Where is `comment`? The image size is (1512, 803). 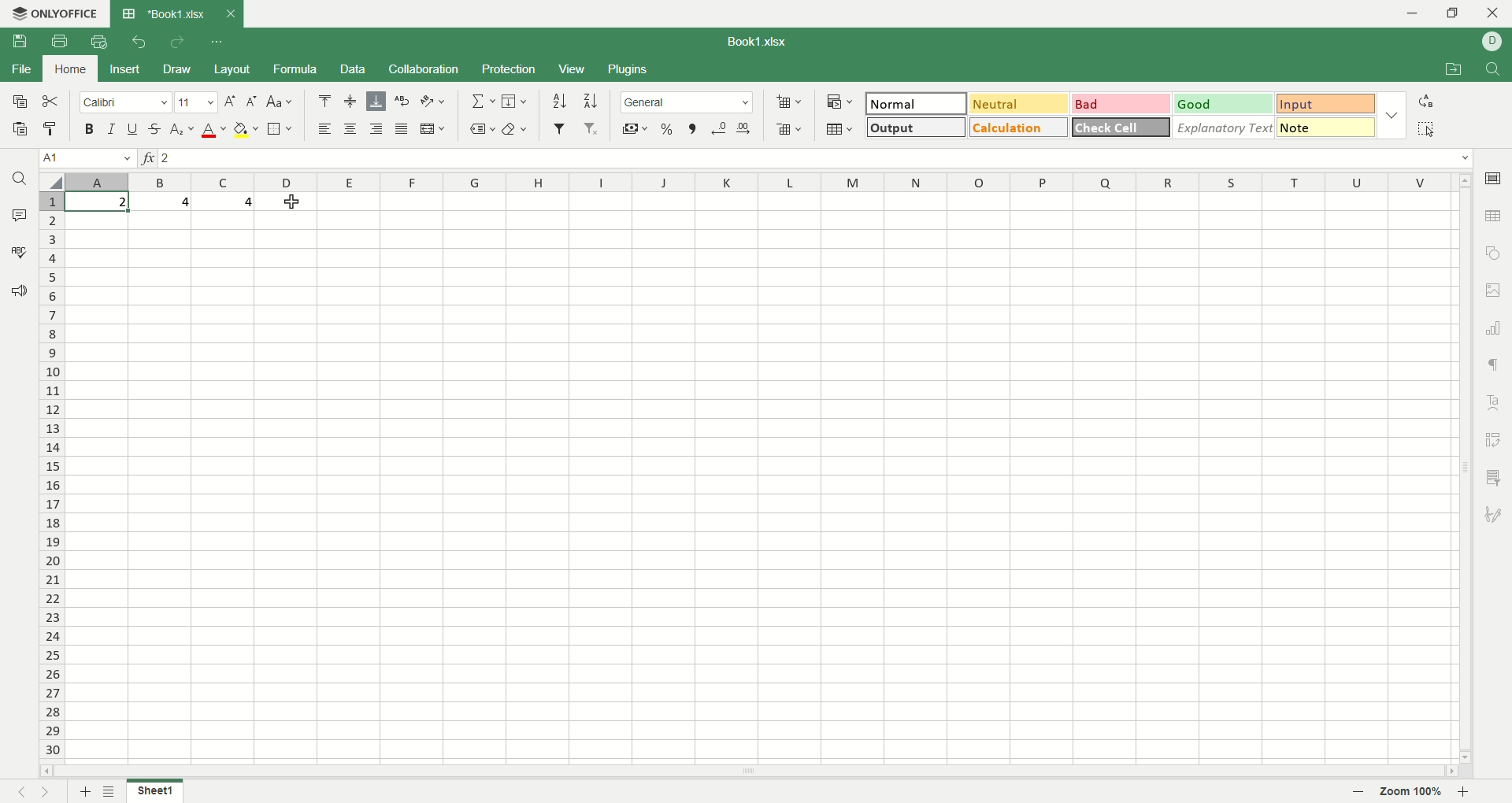
comment is located at coordinates (20, 215).